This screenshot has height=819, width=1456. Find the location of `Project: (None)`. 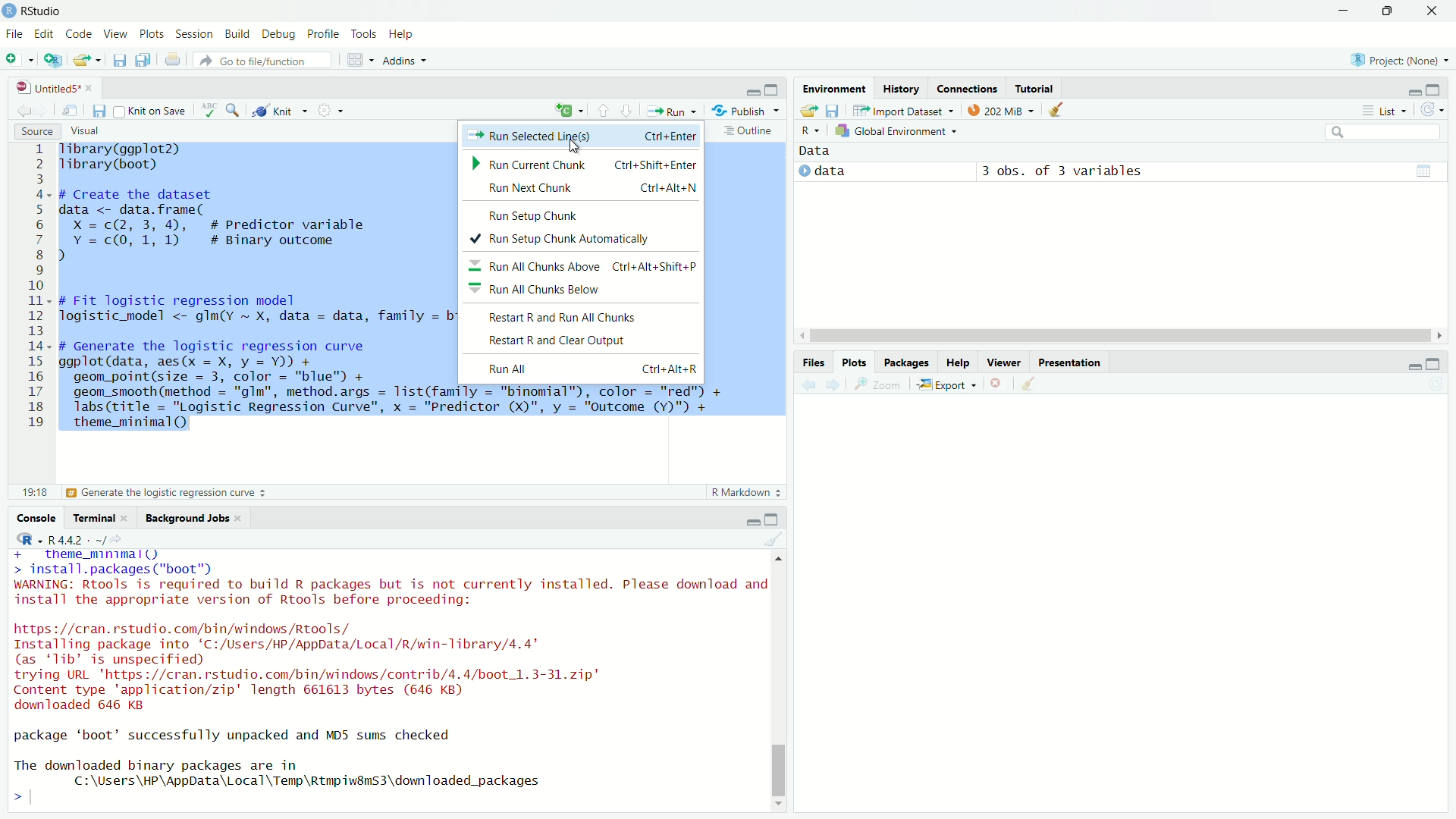

Project: (None) is located at coordinates (1399, 60).